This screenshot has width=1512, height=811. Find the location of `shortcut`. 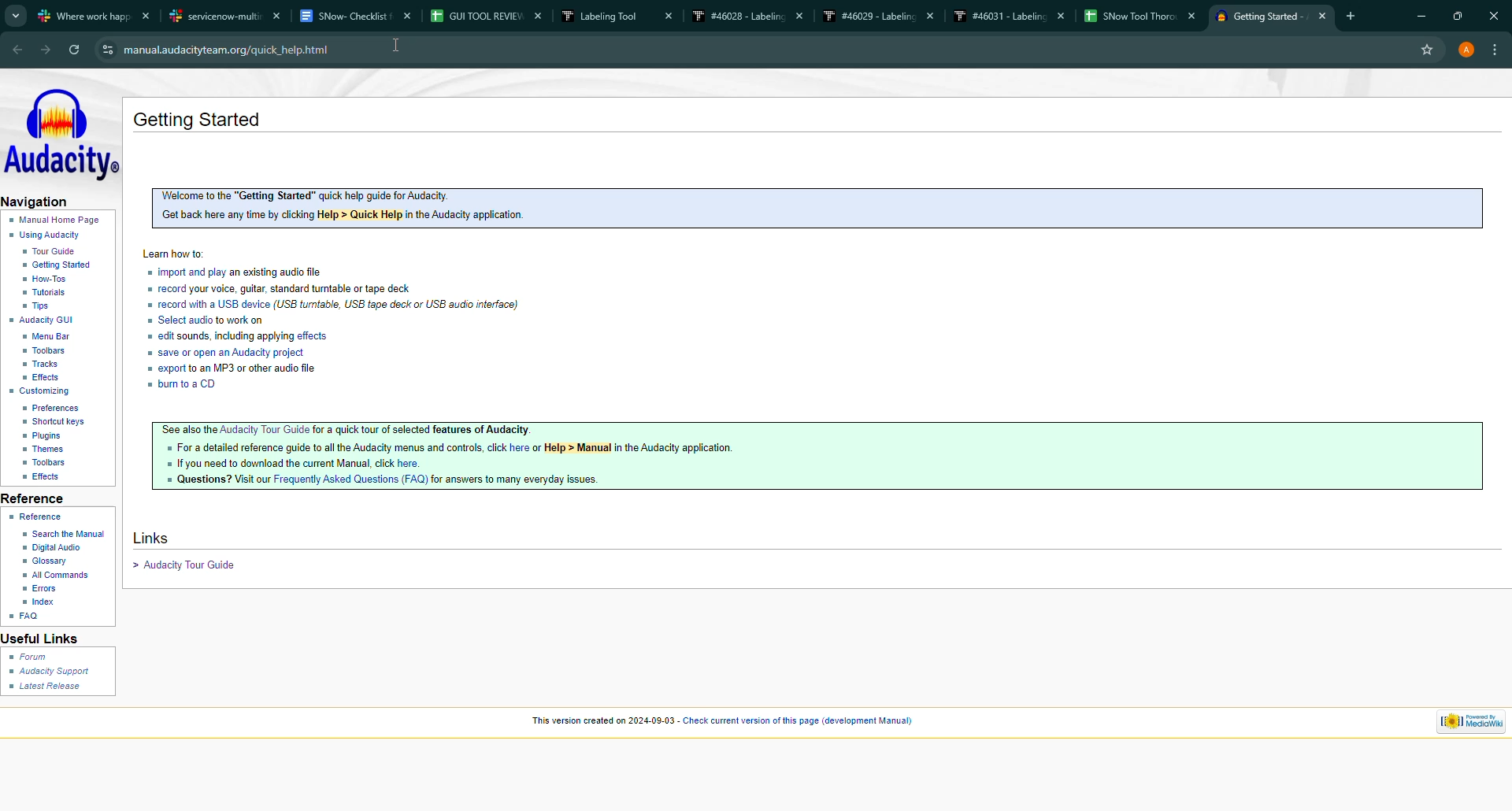

shortcut is located at coordinates (59, 424).